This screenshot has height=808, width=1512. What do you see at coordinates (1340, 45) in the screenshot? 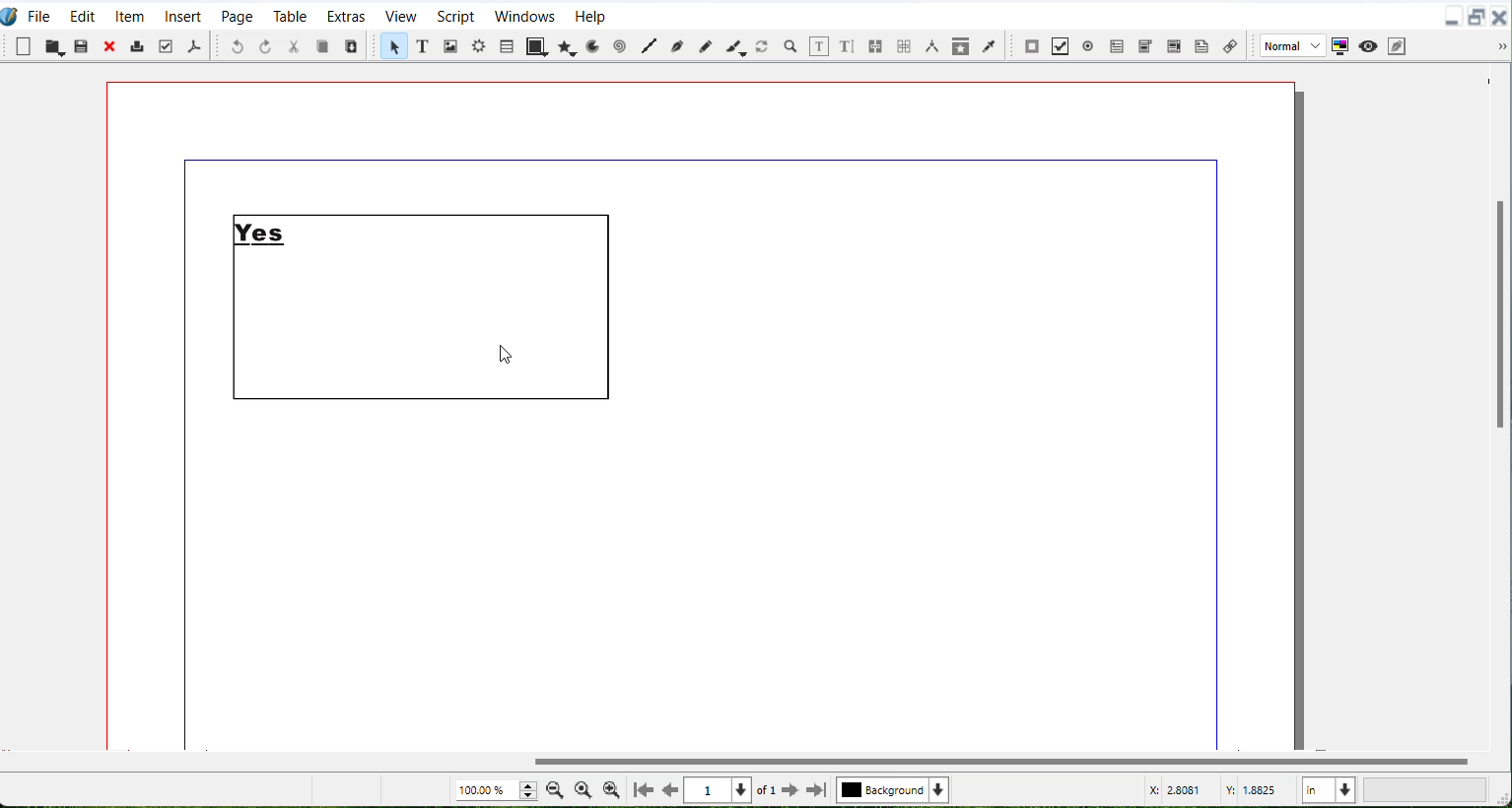
I see `Toggle color` at bounding box center [1340, 45].